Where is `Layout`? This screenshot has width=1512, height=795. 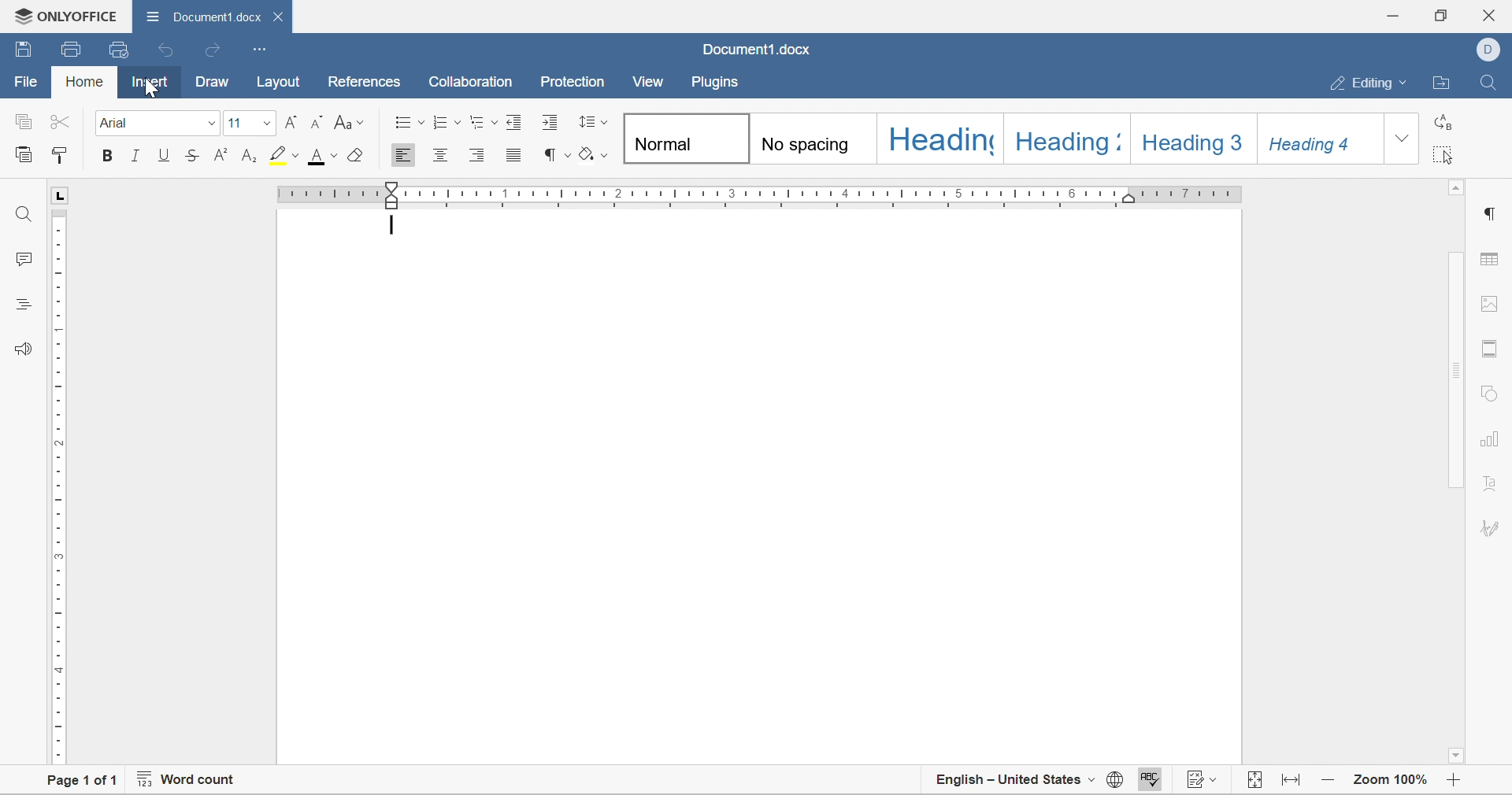 Layout is located at coordinates (280, 83).